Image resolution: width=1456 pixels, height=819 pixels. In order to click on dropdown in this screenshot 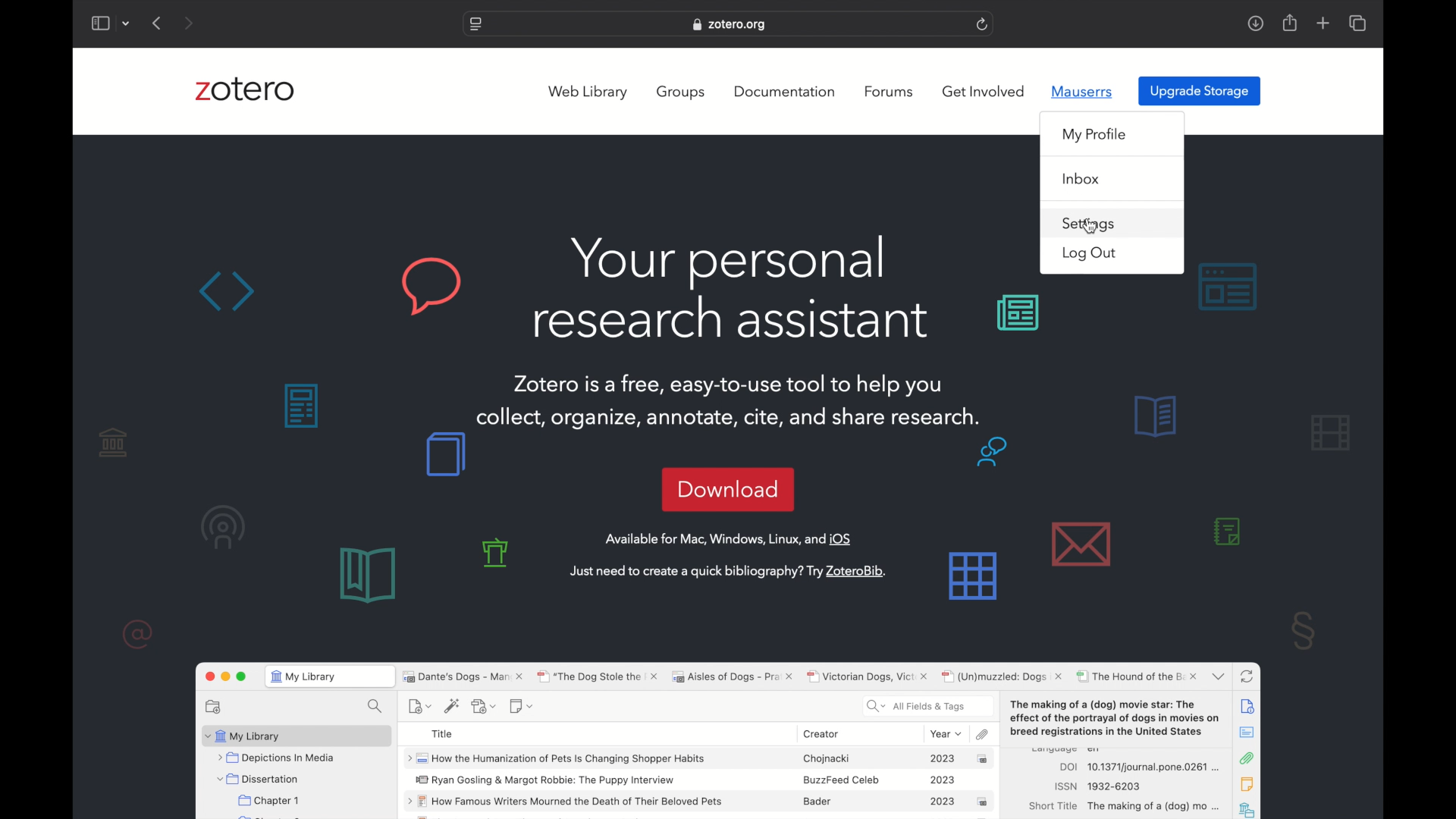, I will do `click(126, 25)`.